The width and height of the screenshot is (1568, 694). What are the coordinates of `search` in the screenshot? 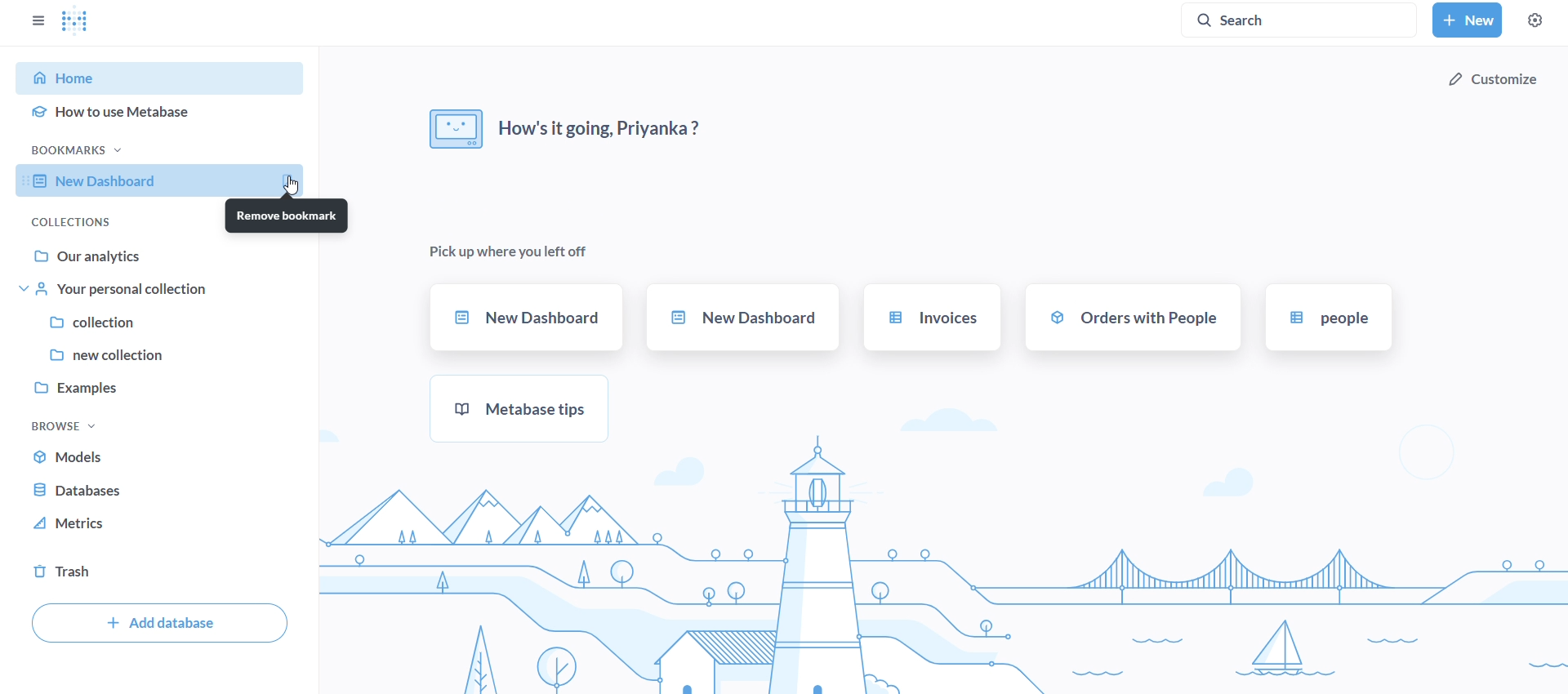 It's located at (1304, 19).